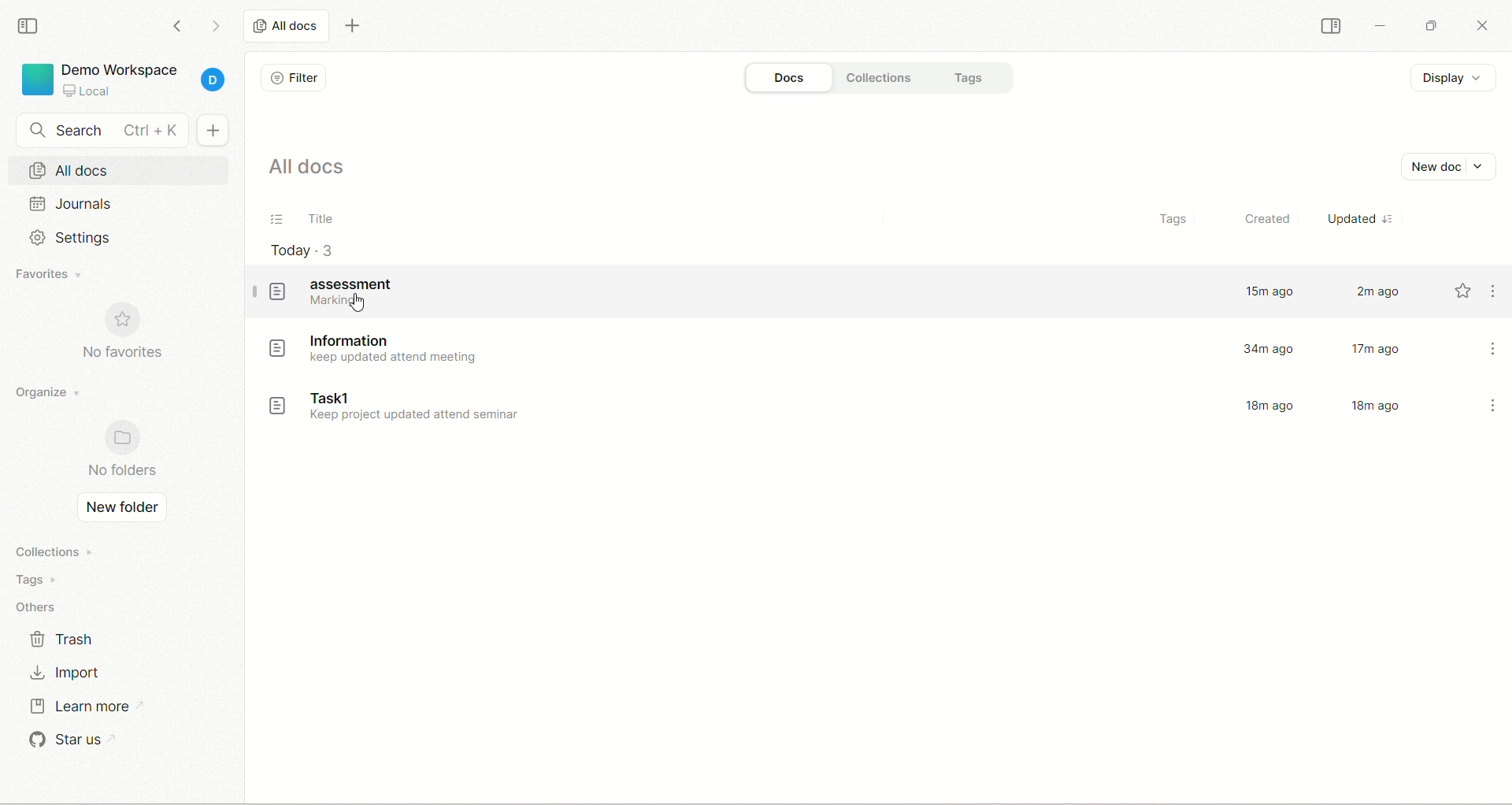  I want to click on taday-3, so click(306, 250).